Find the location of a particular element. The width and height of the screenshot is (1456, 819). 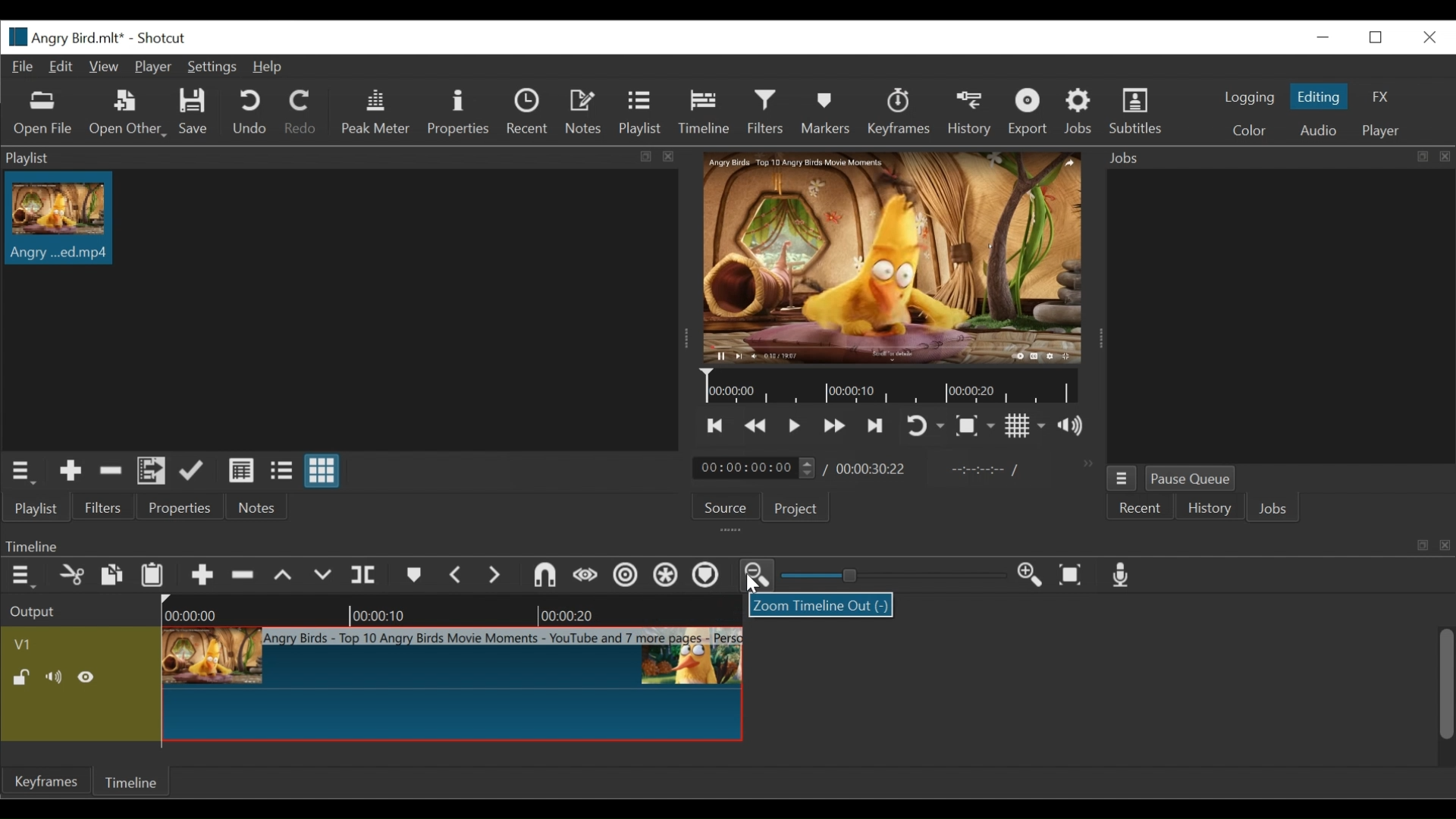

Markers is located at coordinates (413, 575).